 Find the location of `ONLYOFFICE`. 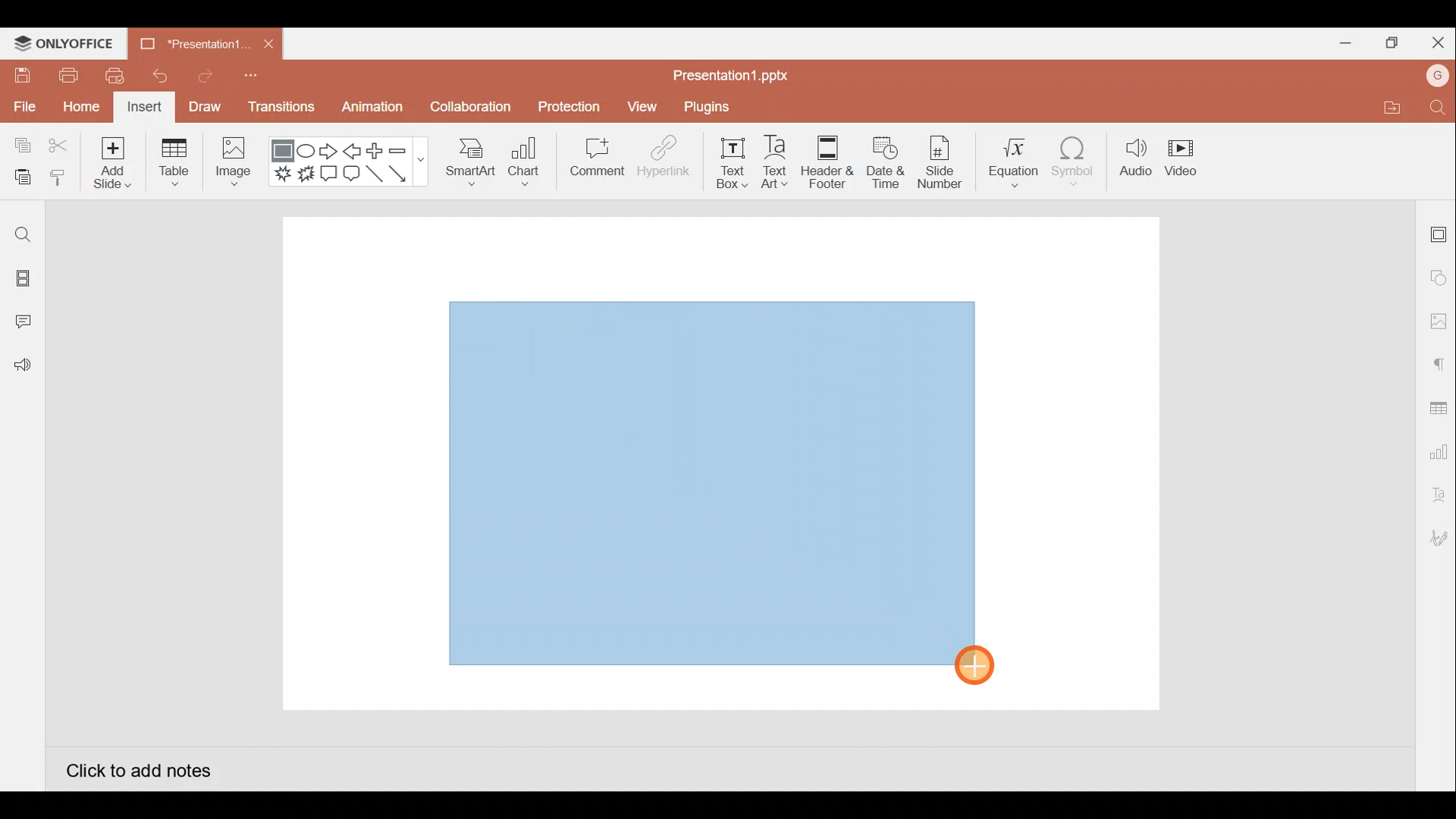

ONLYOFFICE is located at coordinates (64, 43).